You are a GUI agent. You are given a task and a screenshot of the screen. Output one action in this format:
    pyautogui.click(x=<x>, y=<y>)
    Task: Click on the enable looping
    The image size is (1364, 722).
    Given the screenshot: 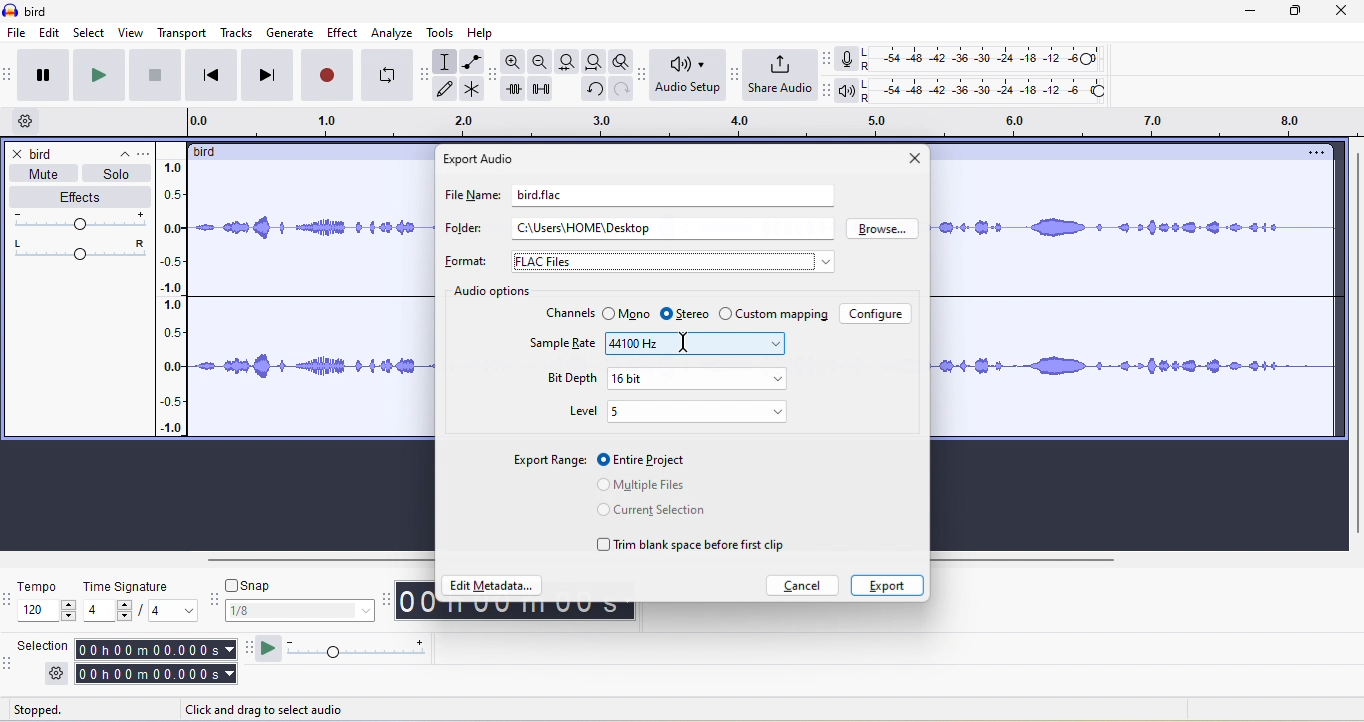 What is the action you would take?
    pyautogui.click(x=387, y=76)
    